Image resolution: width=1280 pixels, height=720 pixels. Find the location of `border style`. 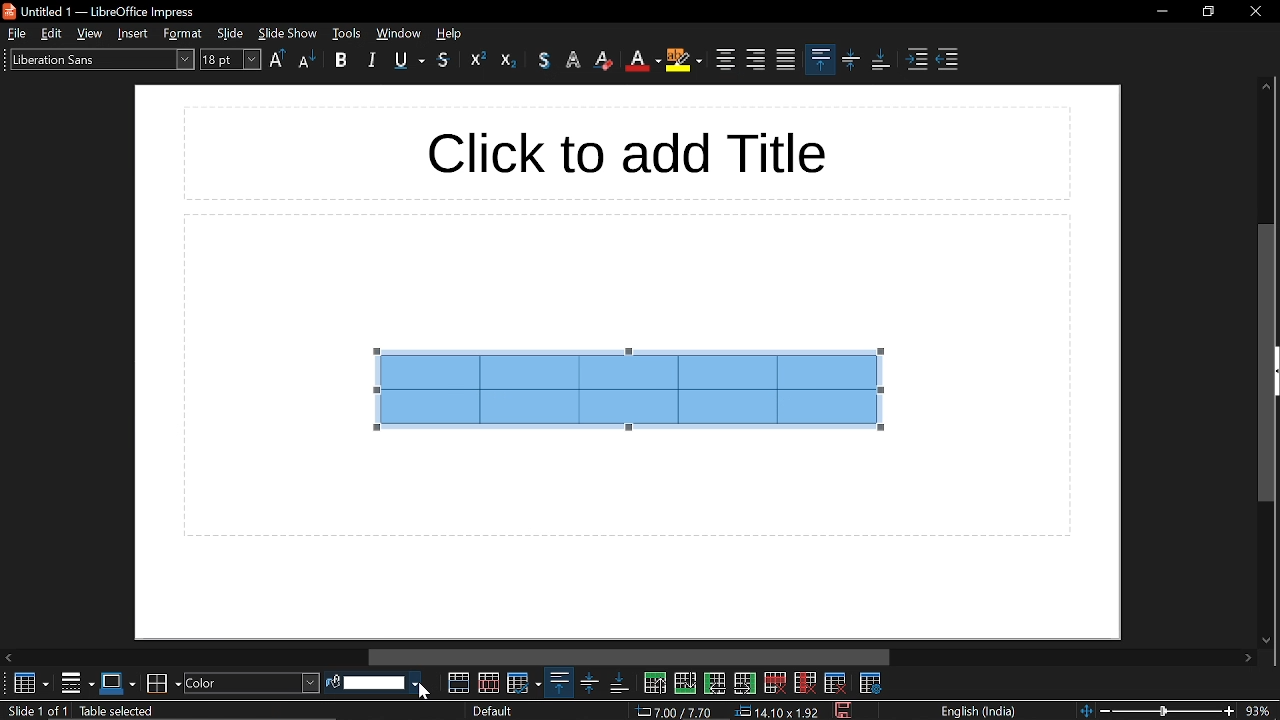

border style is located at coordinates (119, 683).